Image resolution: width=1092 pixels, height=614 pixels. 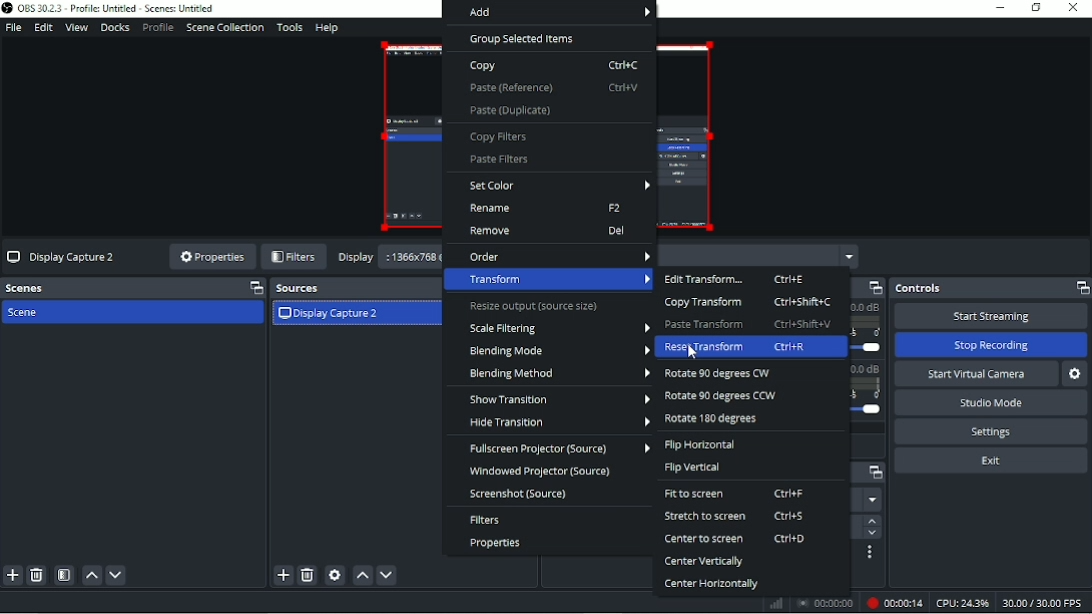 I want to click on Tools, so click(x=290, y=28).